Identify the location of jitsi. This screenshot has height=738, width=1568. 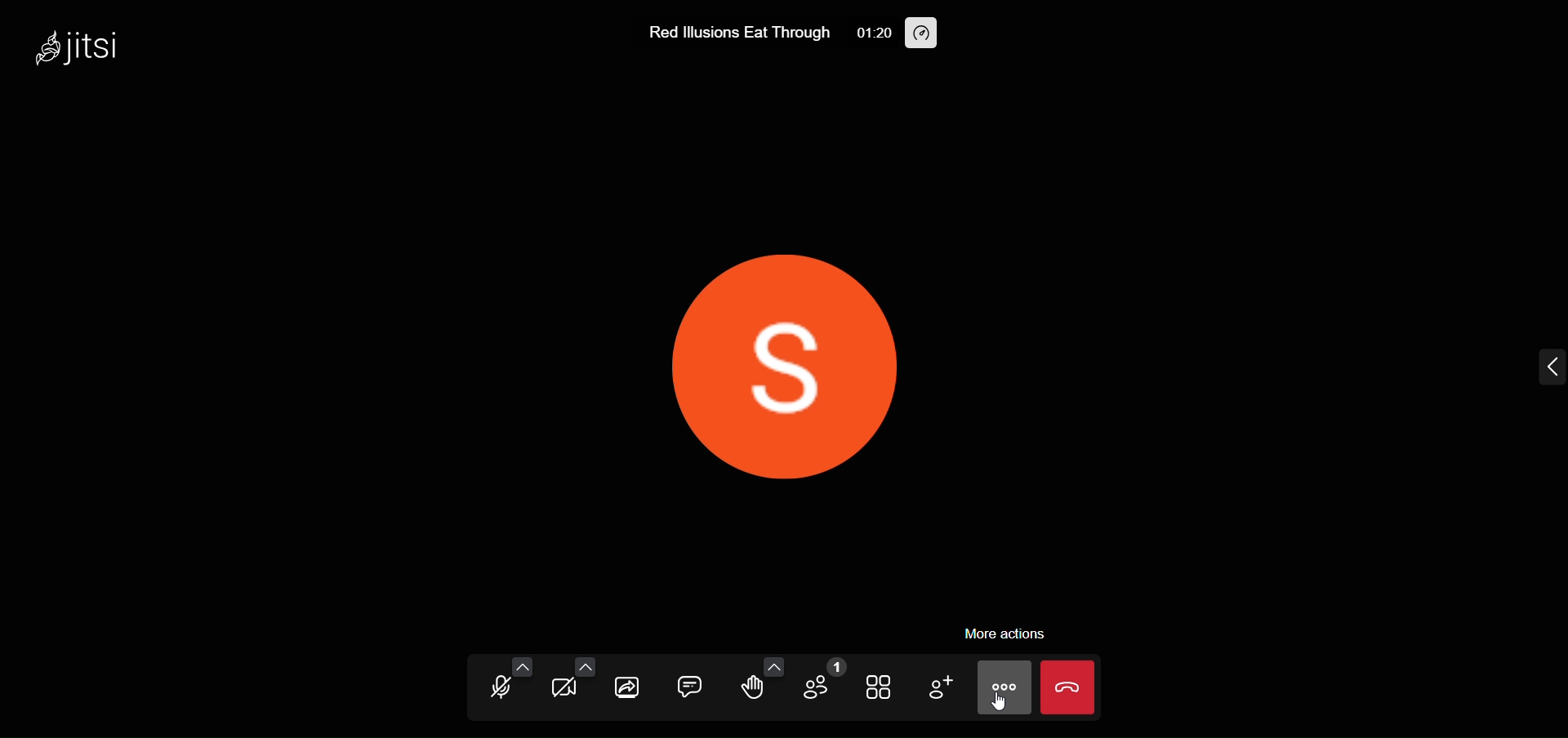
(83, 45).